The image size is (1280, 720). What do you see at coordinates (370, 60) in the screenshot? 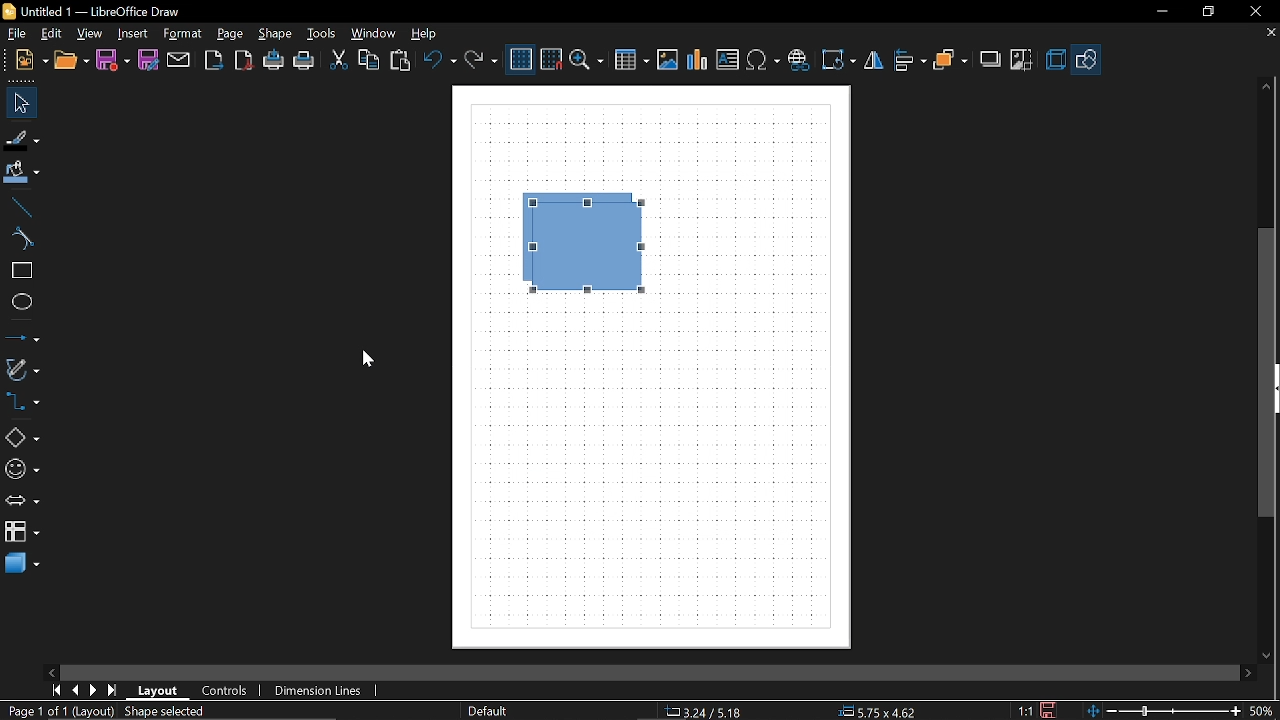
I see `Copy` at bounding box center [370, 60].